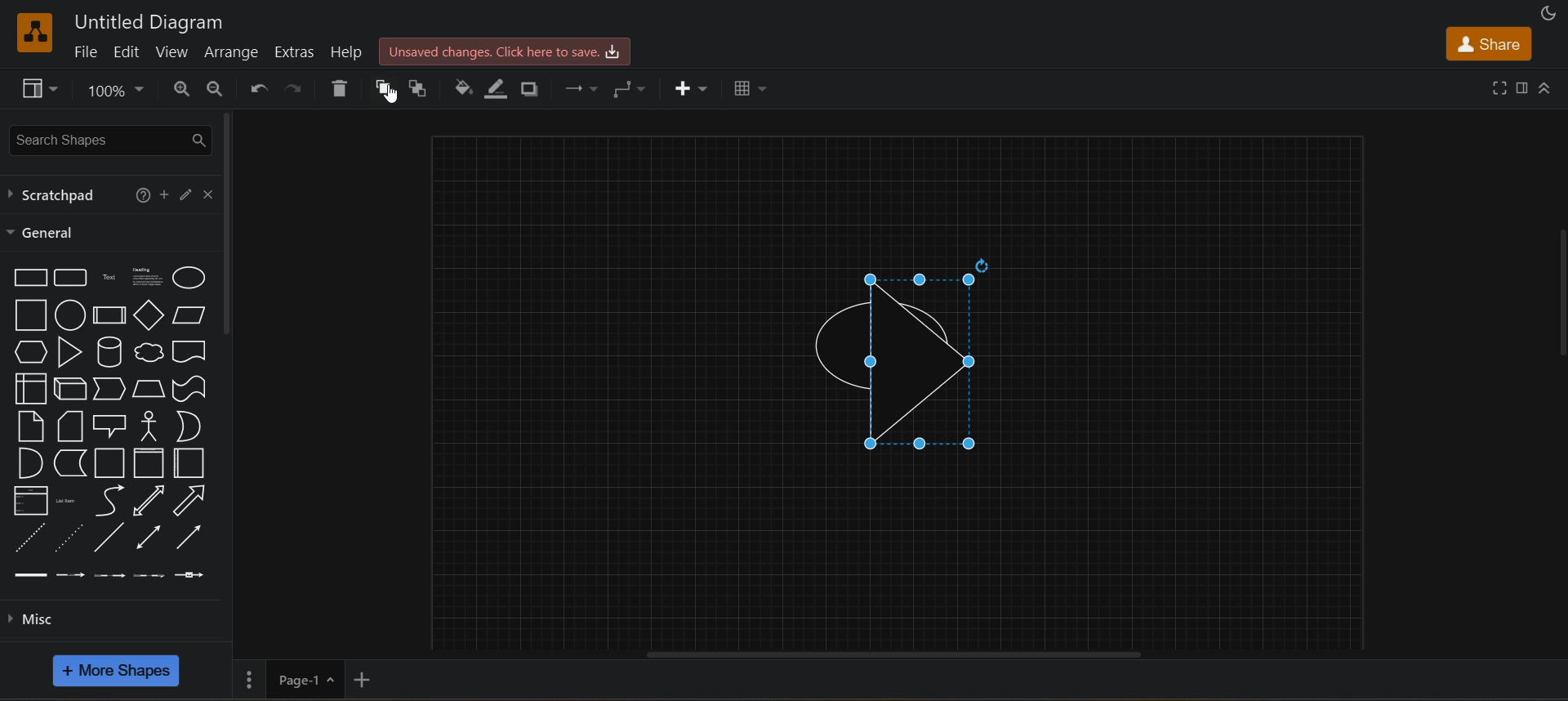  What do you see at coordinates (71, 277) in the screenshot?
I see `rounded rectangle` at bounding box center [71, 277].